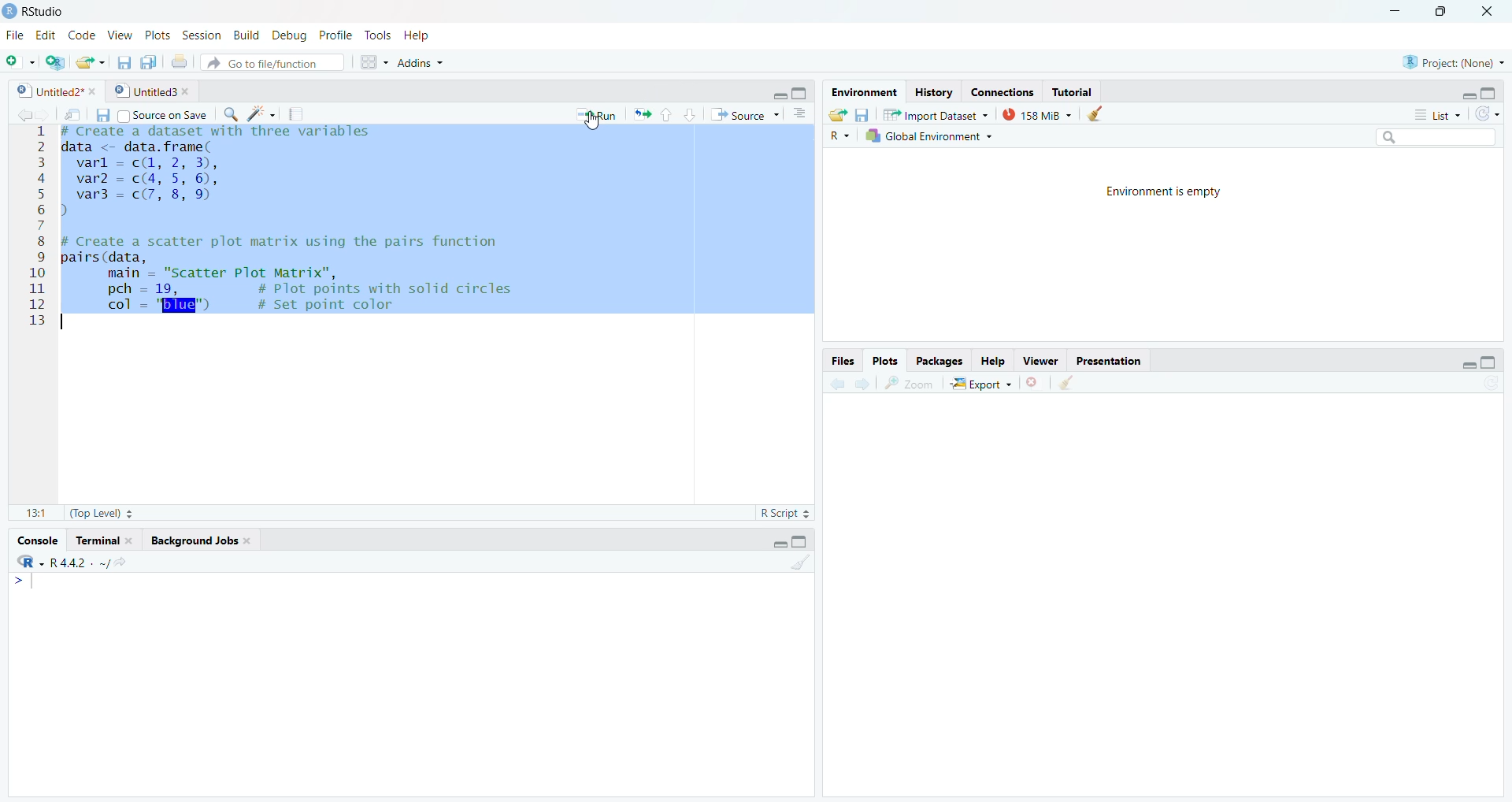 Image resolution: width=1512 pixels, height=802 pixels. I want to click on Tools, so click(379, 34).